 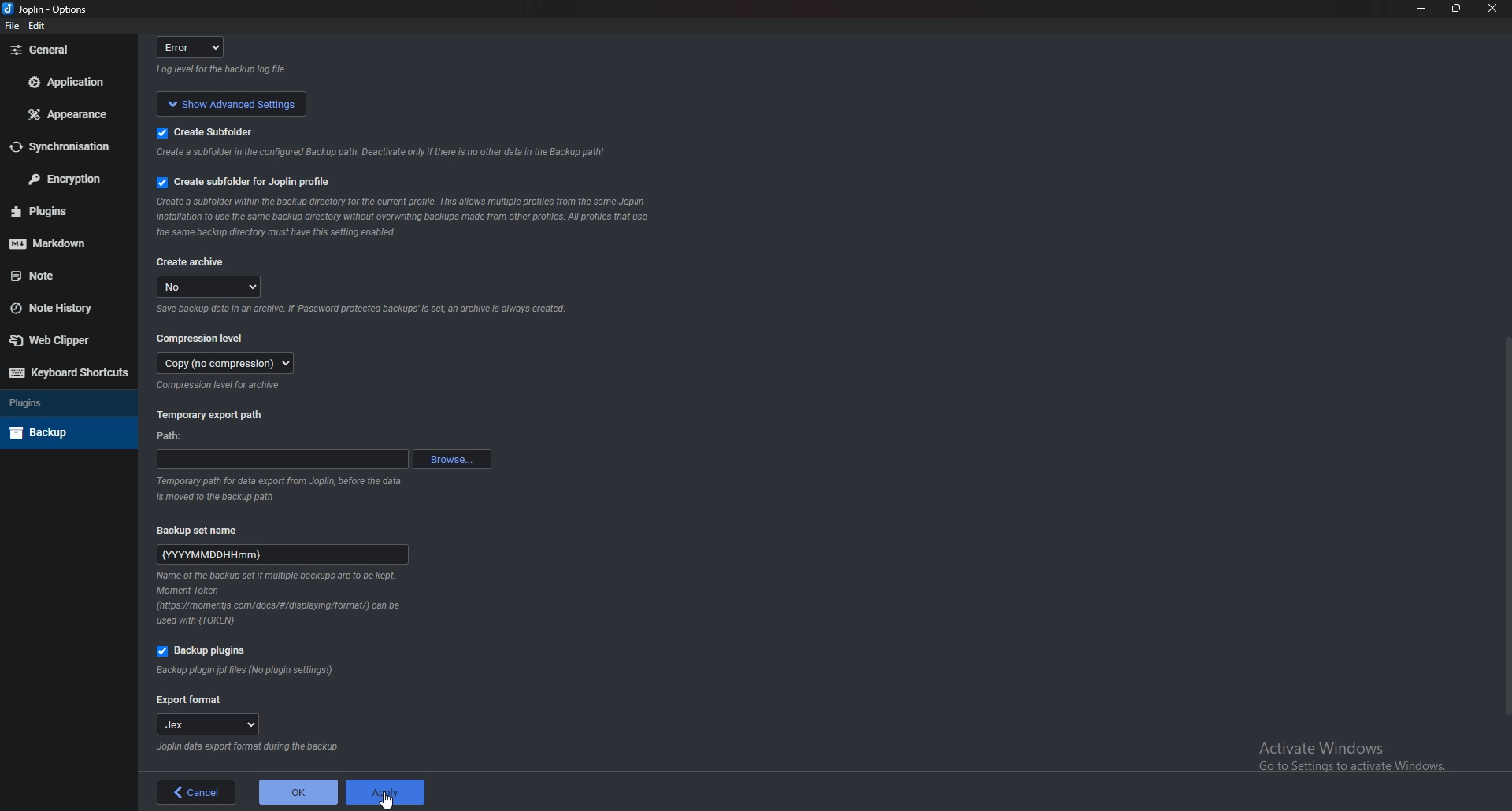 What do you see at coordinates (384, 792) in the screenshot?
I see `apply` at bounding box center [384, 792].